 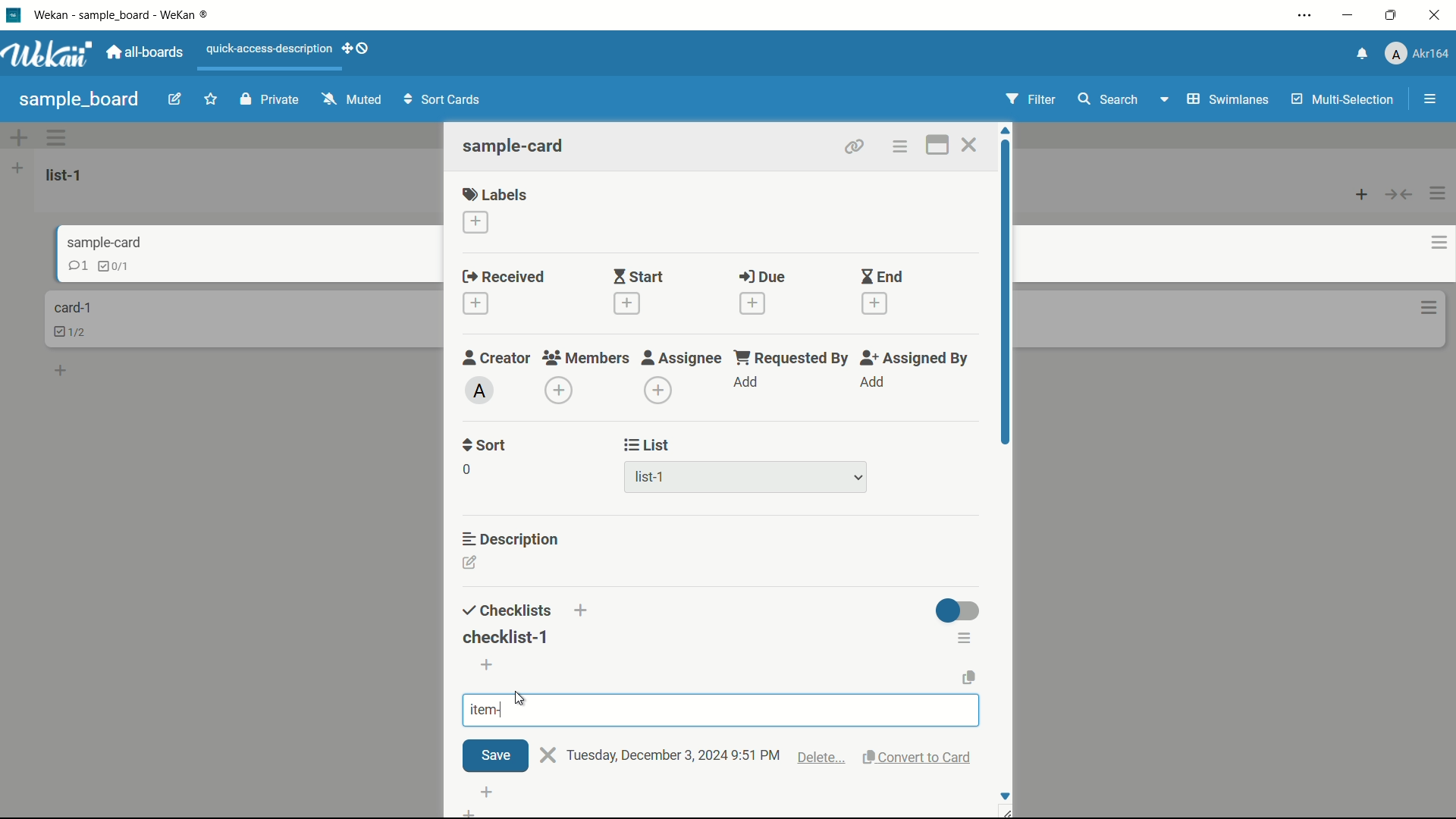 What do you see at coordinates (356, 49) in the screenshot?
I see `show-desktop-drag-handles` at bounding box center [356, 49].